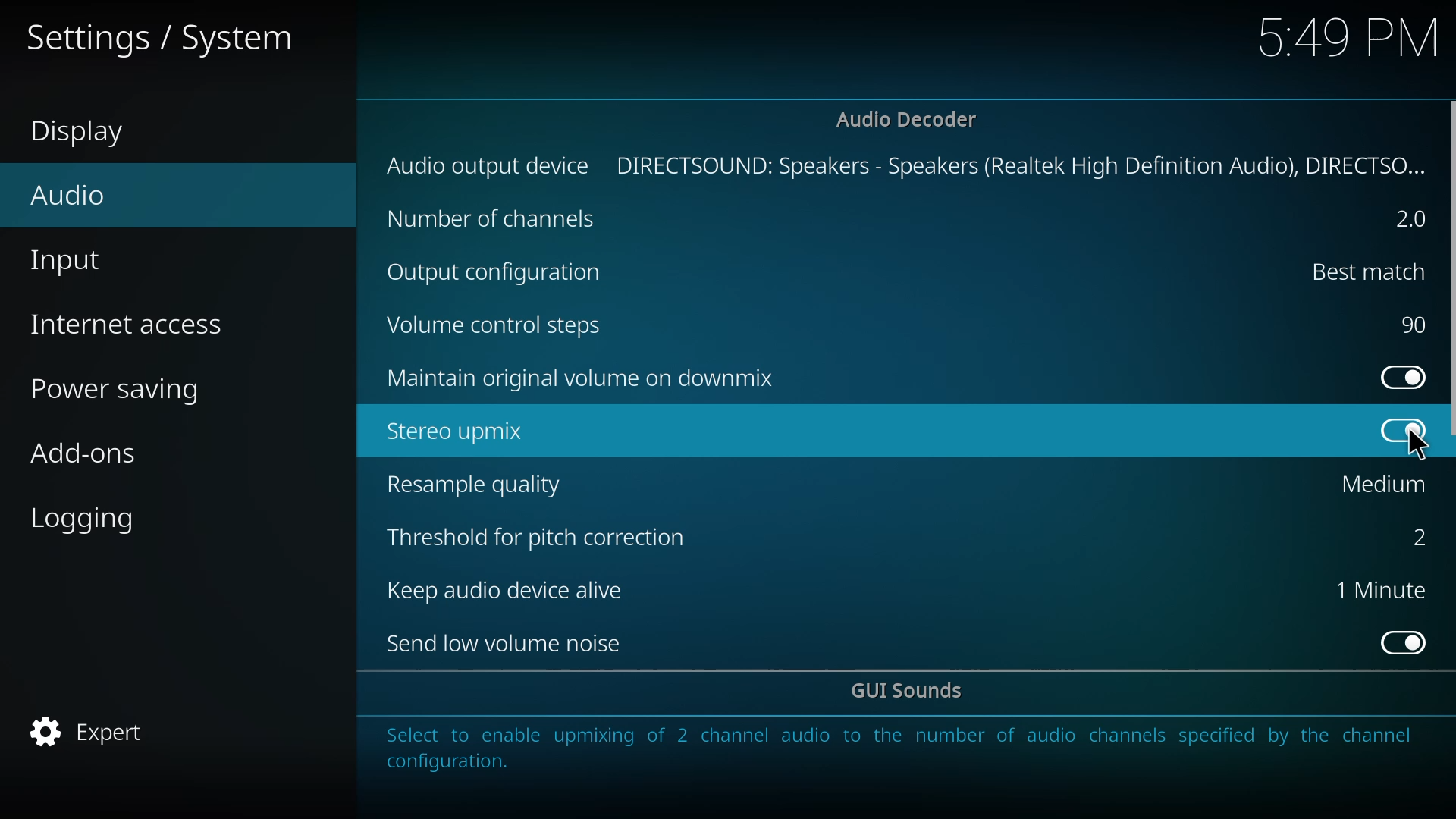  Describe the element at coordinates (588, 378) in the screenshot. I see `maintain original volume` at that location.